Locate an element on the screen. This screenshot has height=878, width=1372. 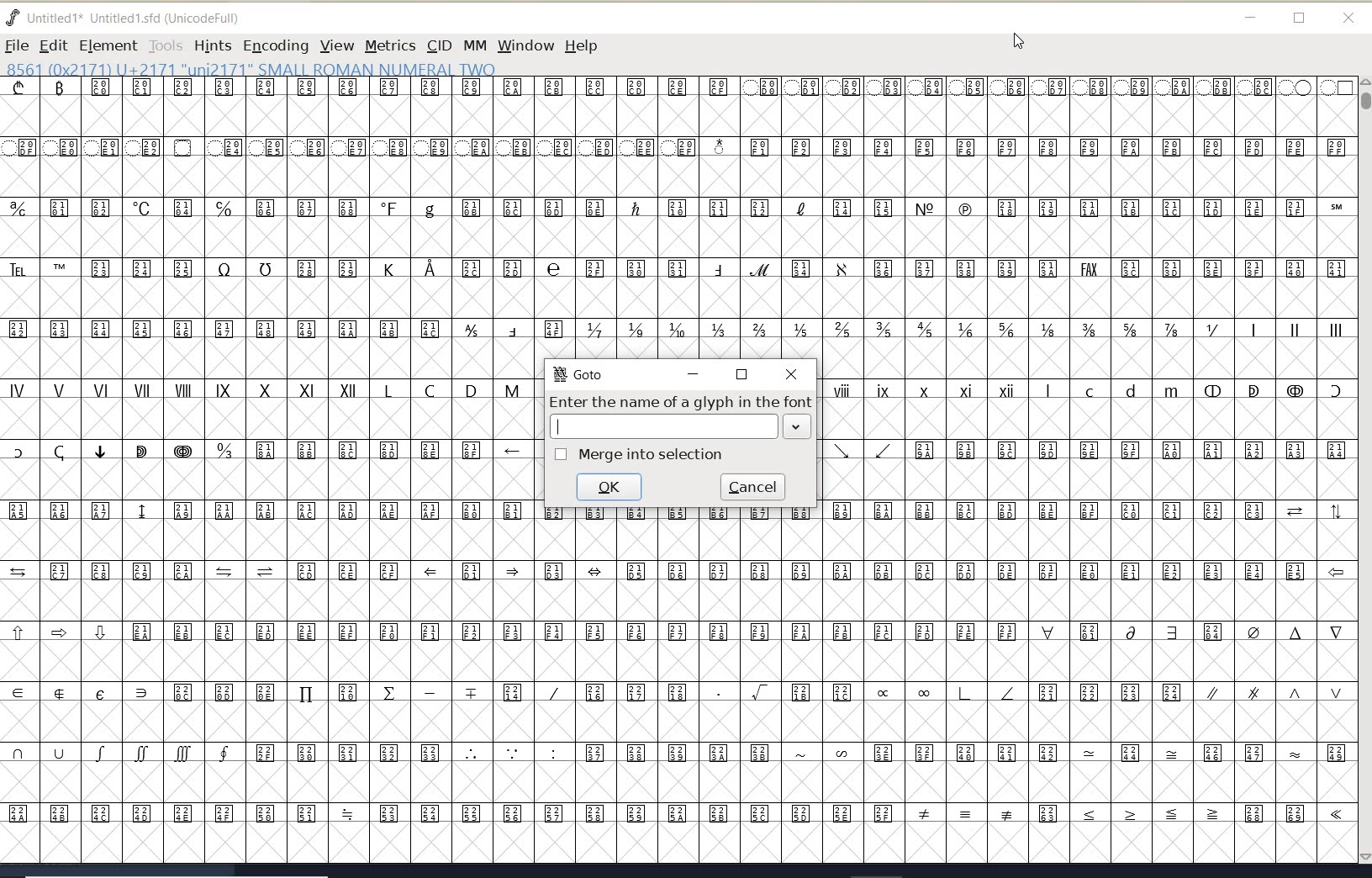
VIEW is located at coordinates (335, 45).